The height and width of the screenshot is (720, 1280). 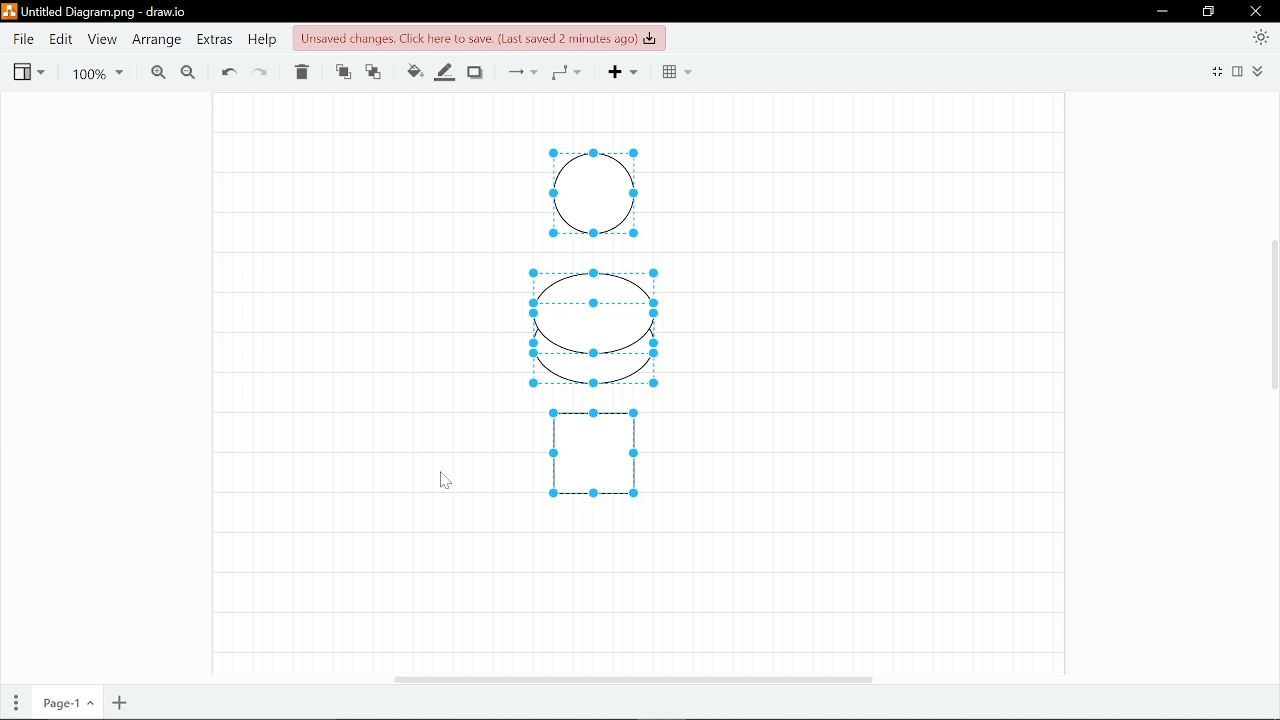 What do you see at coordinates (566, 71) in the screenshot?
I see `Waypoints` at bounding box center [566, 71].